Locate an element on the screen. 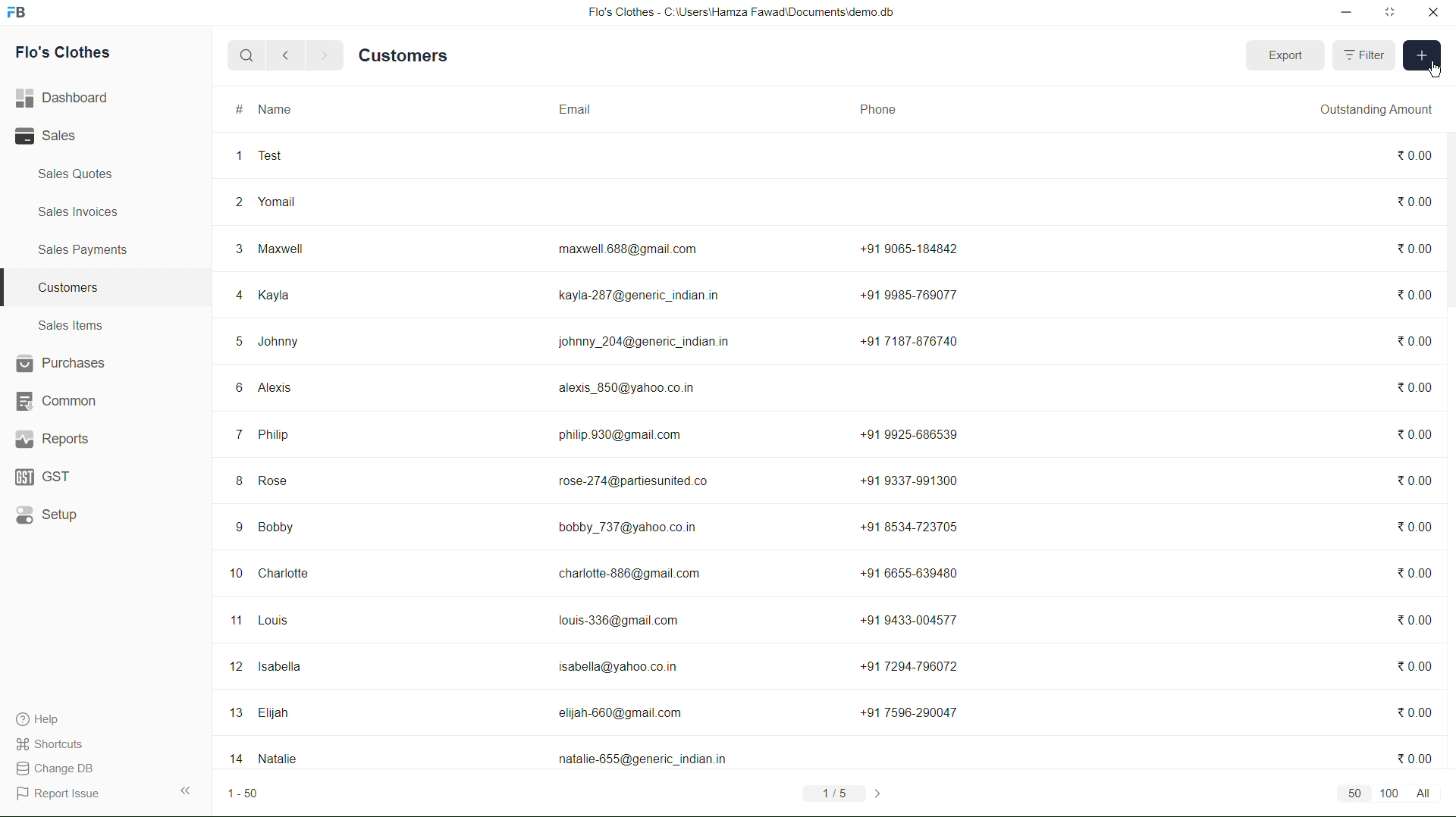 This screenshot has height=817, width=1456. 1" is located at coordinates (236, 621).